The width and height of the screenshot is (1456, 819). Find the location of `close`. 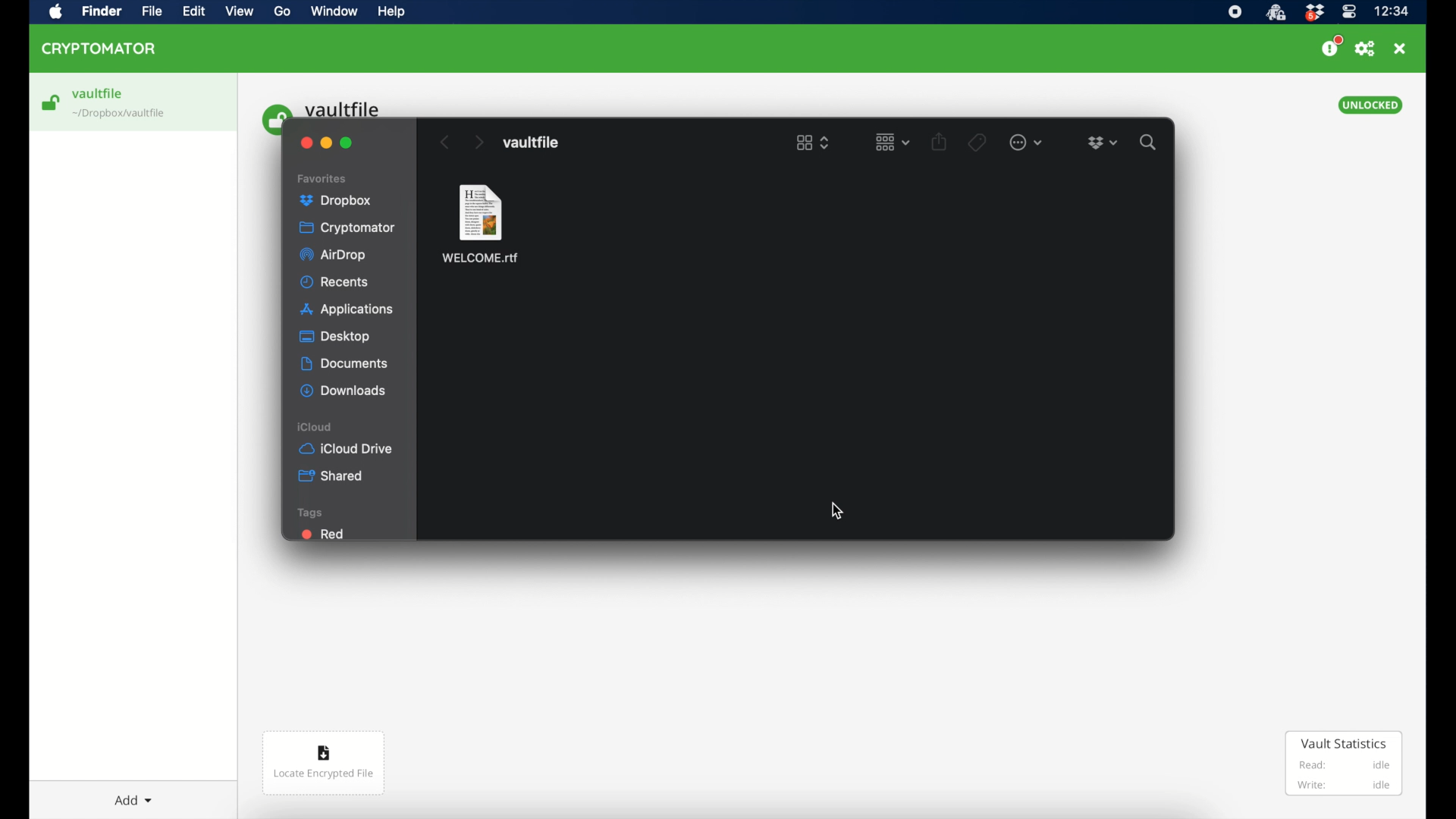

close is located at coordinates (1402, 48).